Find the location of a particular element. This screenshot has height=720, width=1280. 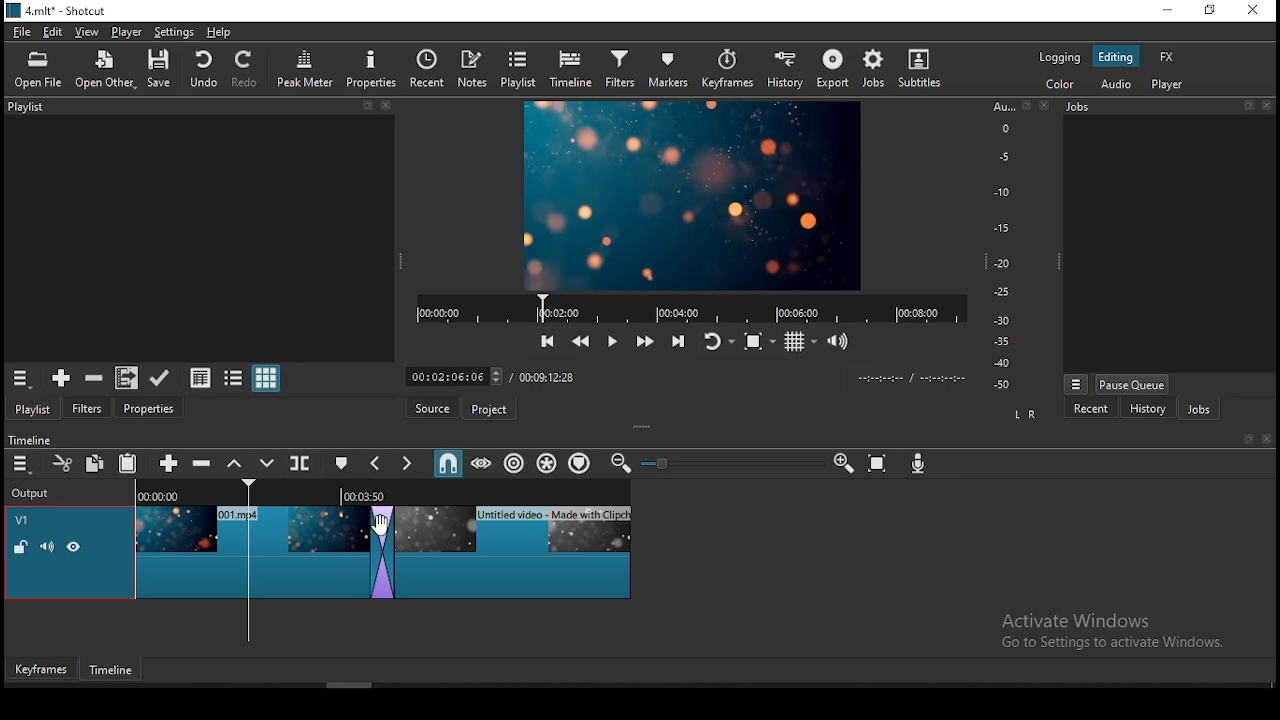

elapsed time is located at coordinates (458, 374).